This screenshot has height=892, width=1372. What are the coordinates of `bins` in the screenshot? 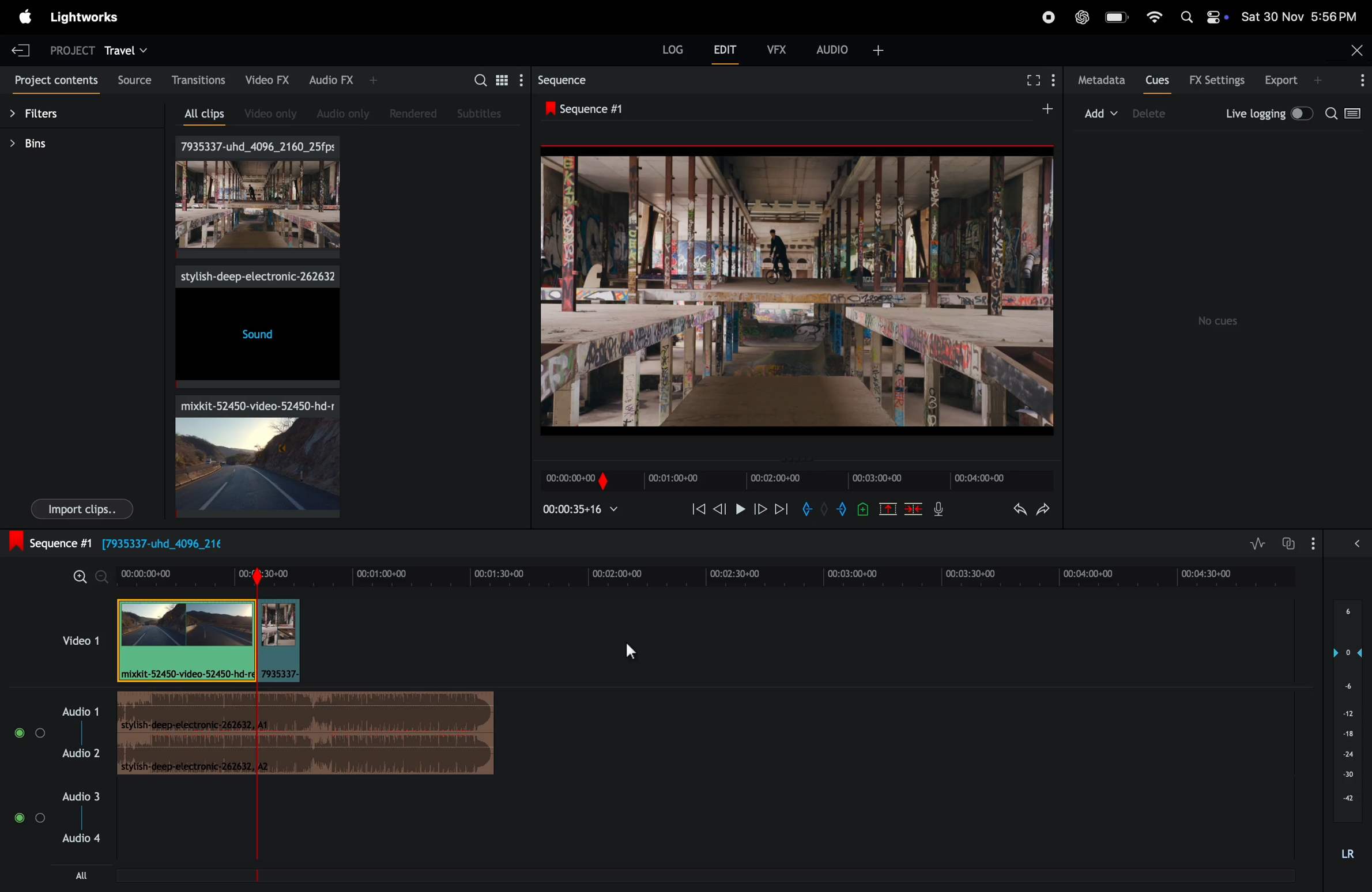 It's located at (38, 143).